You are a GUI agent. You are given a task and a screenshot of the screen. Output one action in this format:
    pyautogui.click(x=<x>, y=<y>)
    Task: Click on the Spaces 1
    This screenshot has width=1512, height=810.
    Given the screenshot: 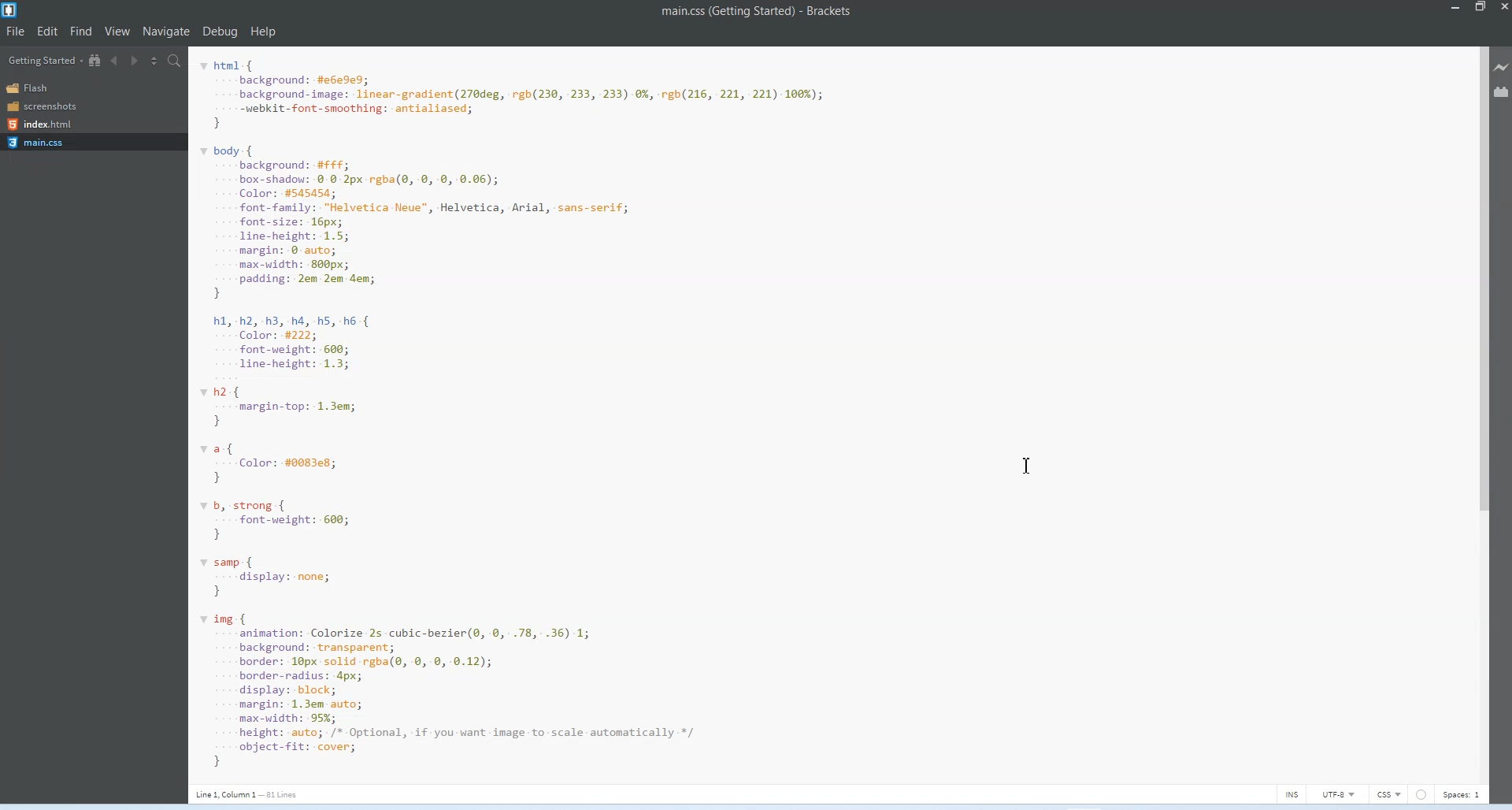 What is the action you would take?
    pyautogui.click(x=1466, y=794)
    